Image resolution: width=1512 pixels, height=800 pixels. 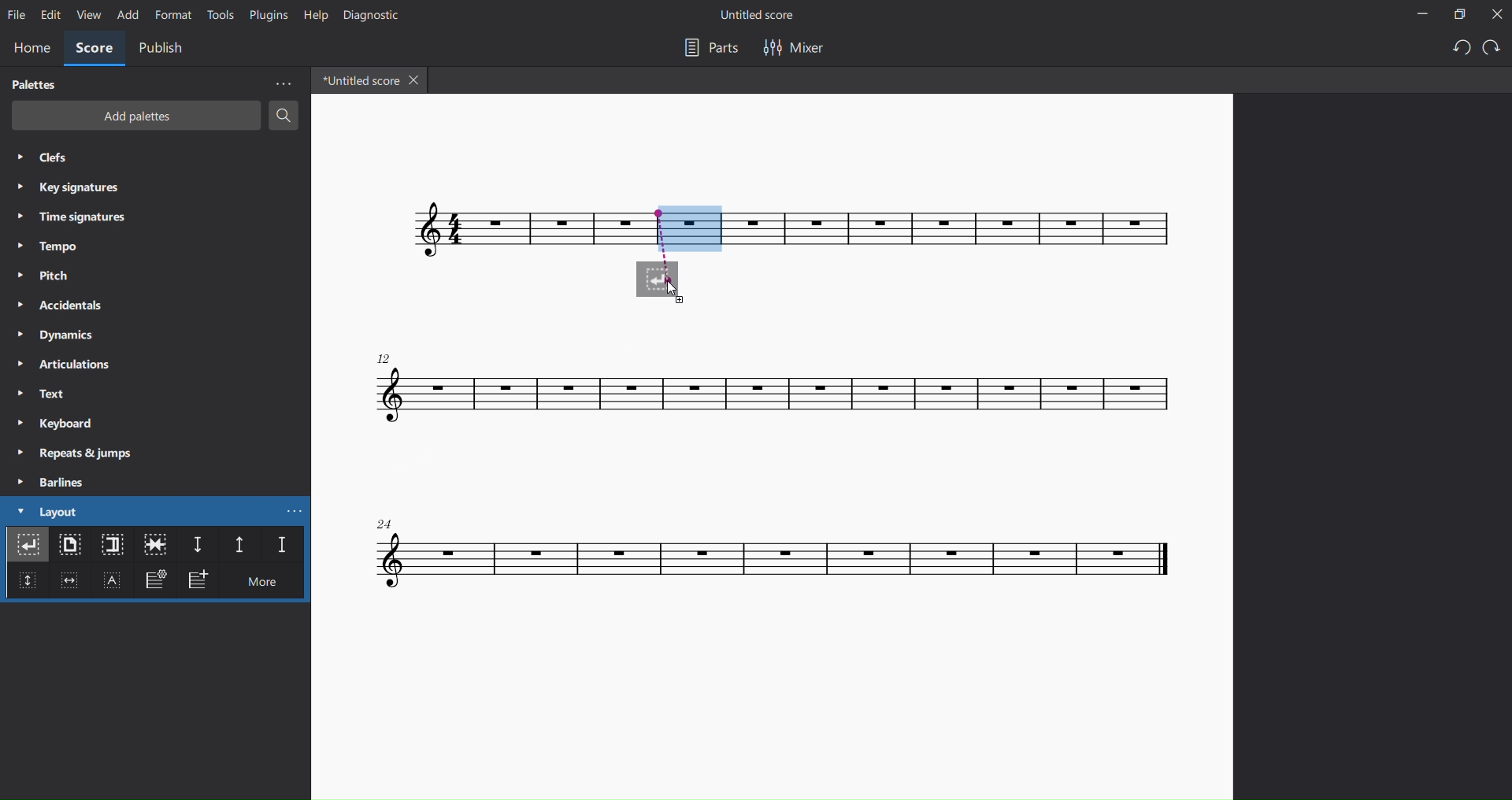 I want to click on tempo, so click(x=45, y=246).